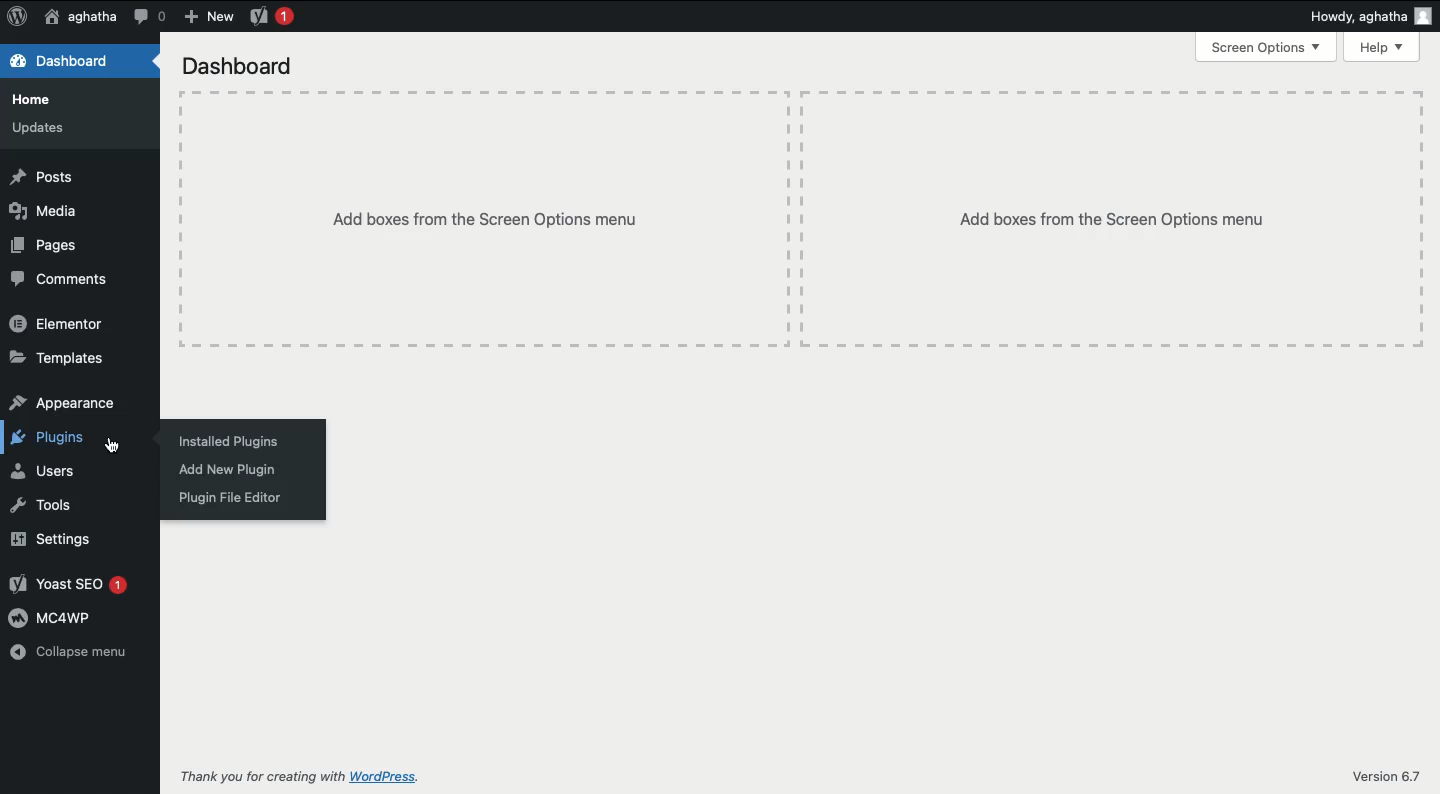  What do you see at coordinates (298, 778) in the screenshot?
I see `Thank you for creating with WordPress` at bounding box center [298, 778].